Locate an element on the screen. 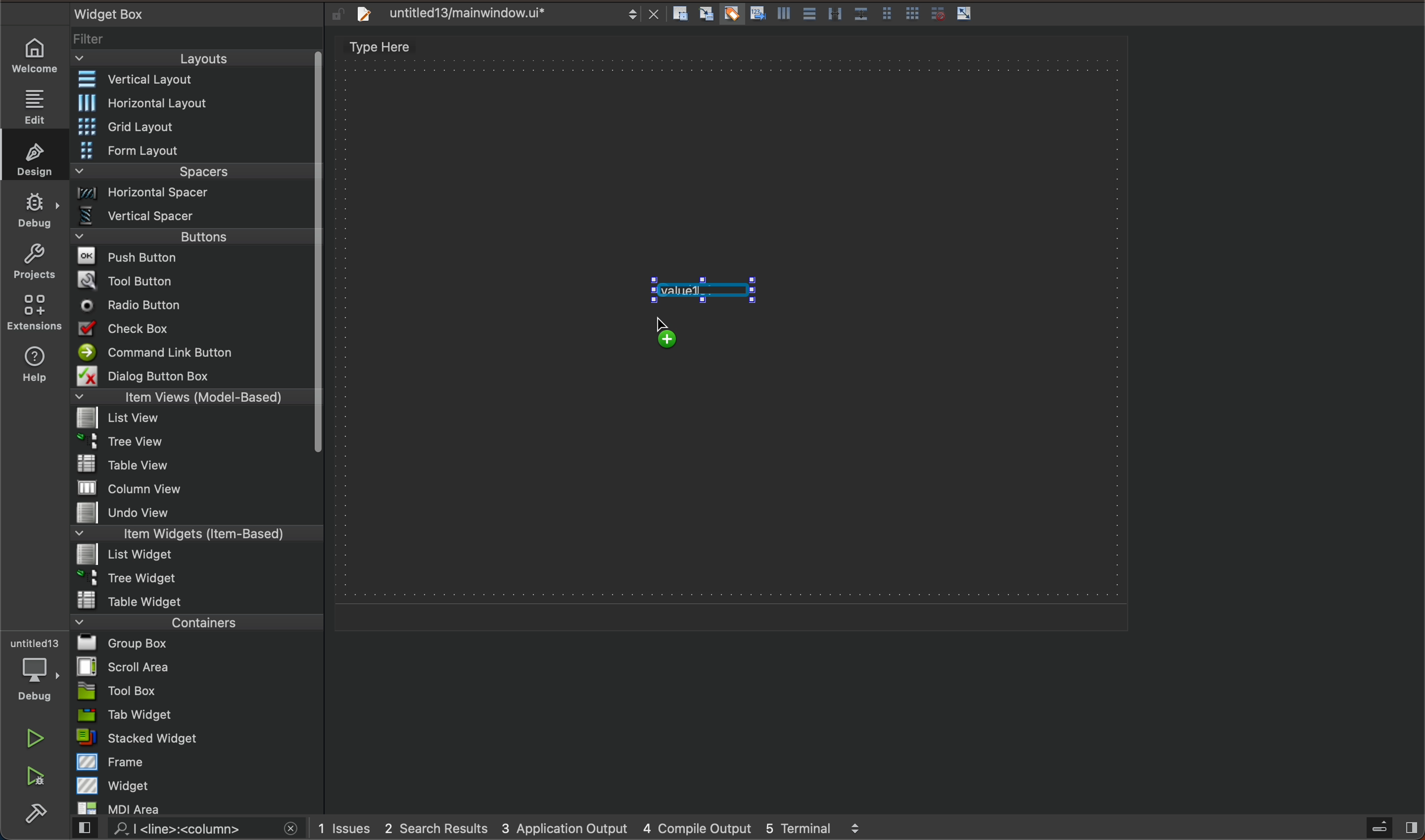 The image size is (1425, 840). layouts is located at coordinates (192, 62).